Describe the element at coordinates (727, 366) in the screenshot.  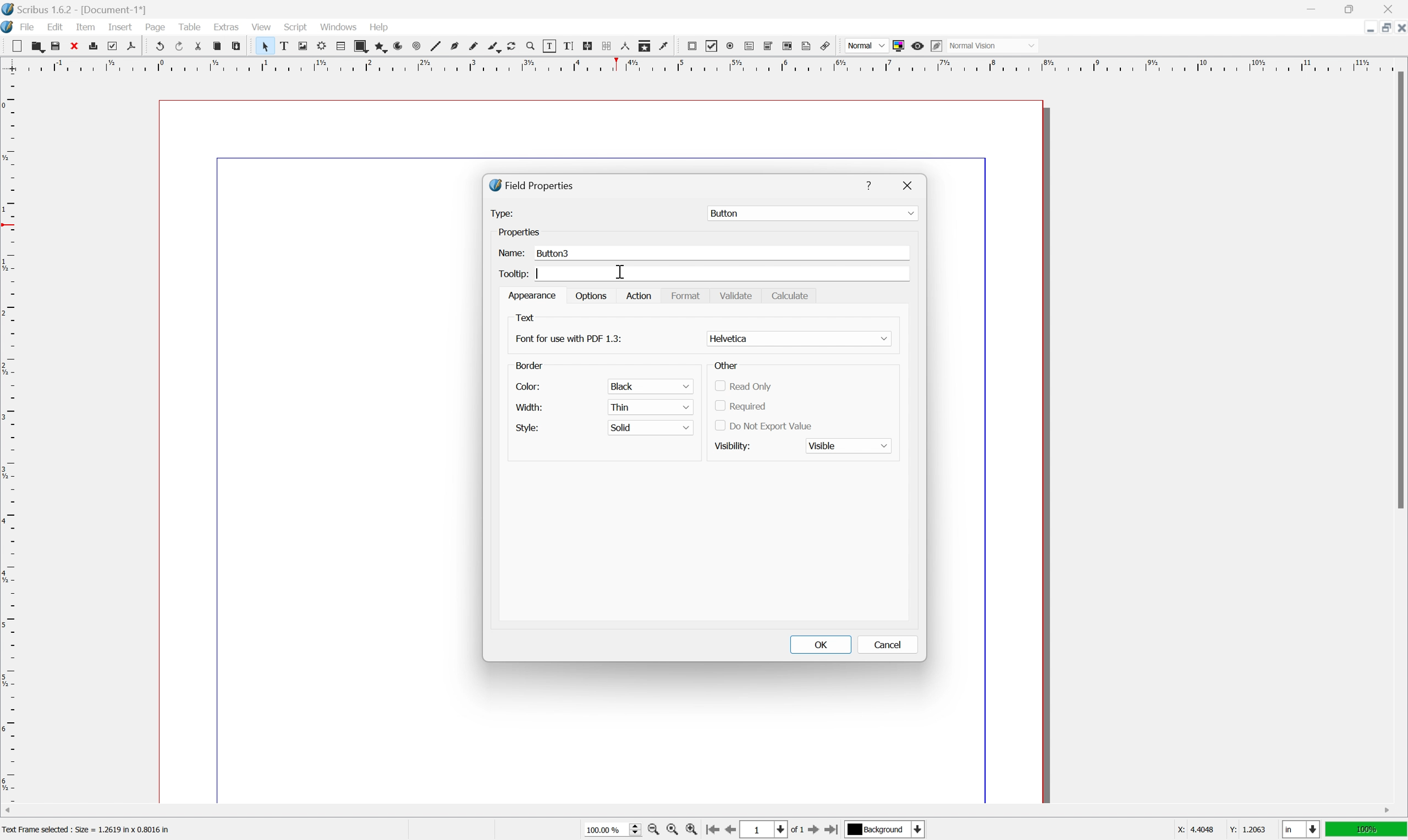
I see `Other` at that location.